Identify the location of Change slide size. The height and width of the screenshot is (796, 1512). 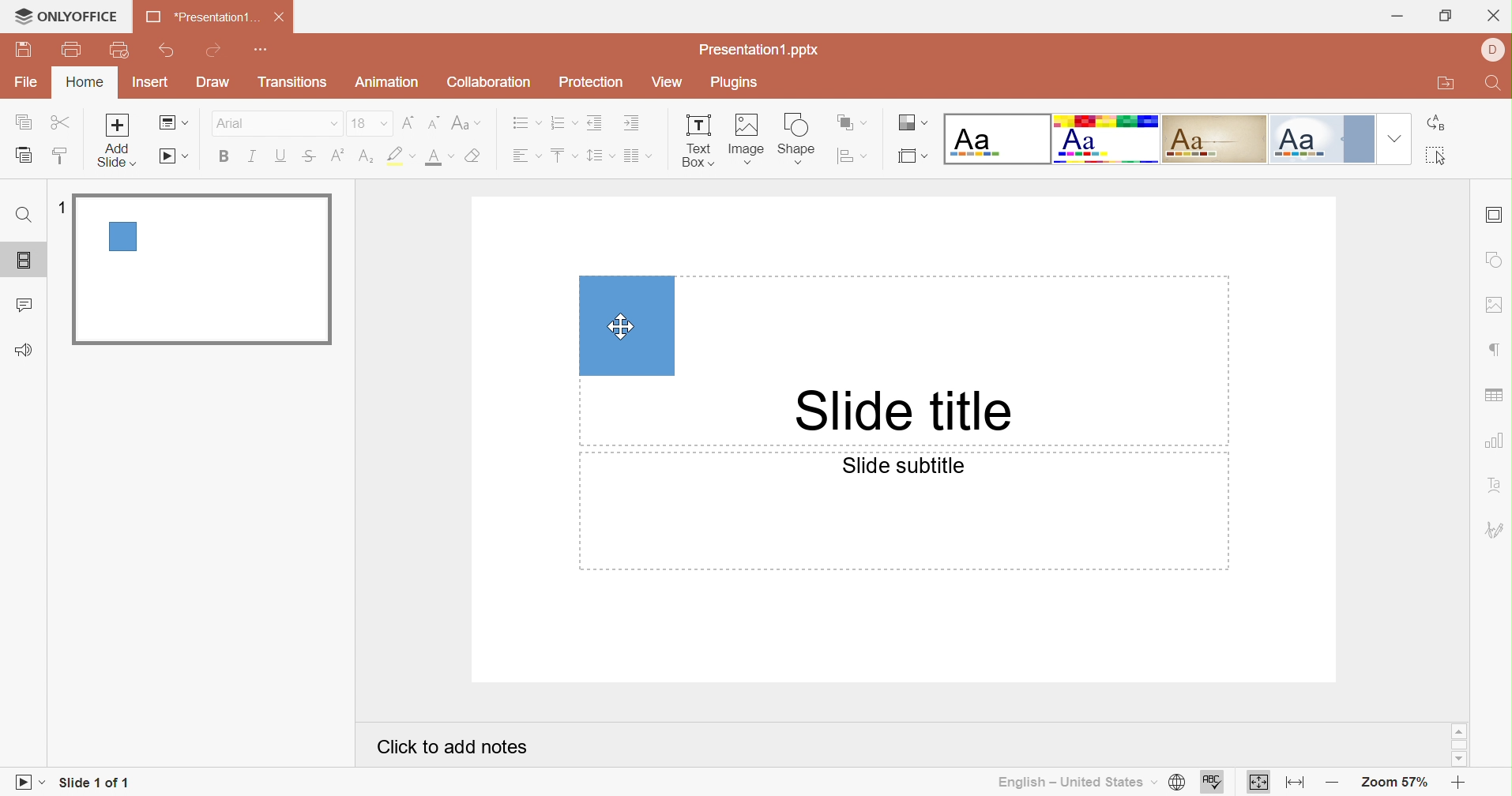
(912, 156).